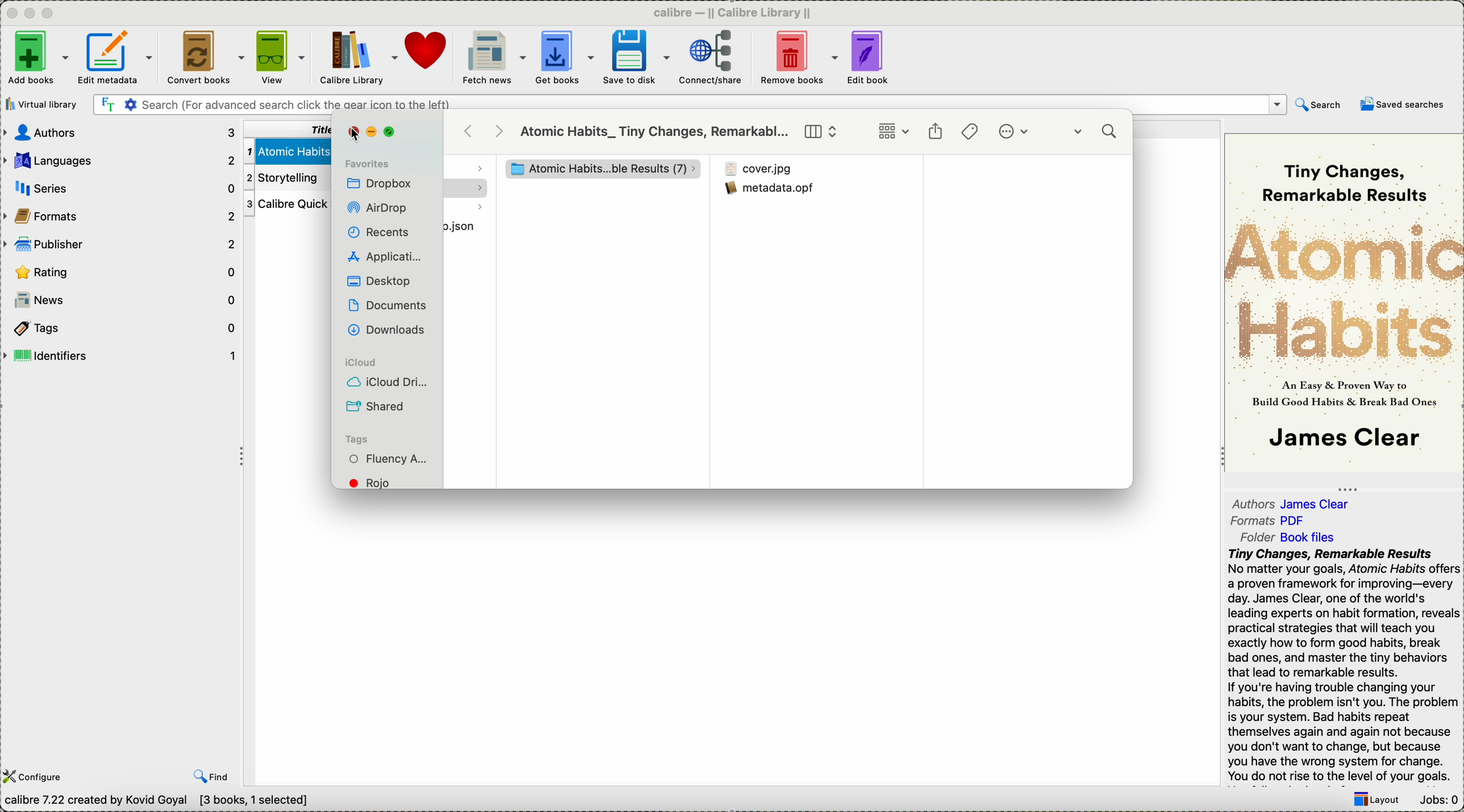 This screenshot has width=1464, height=812. What do you see at coordinates (380, 209) in the screenshot?
I see `AirDrop` at bounding box center [380, 209].